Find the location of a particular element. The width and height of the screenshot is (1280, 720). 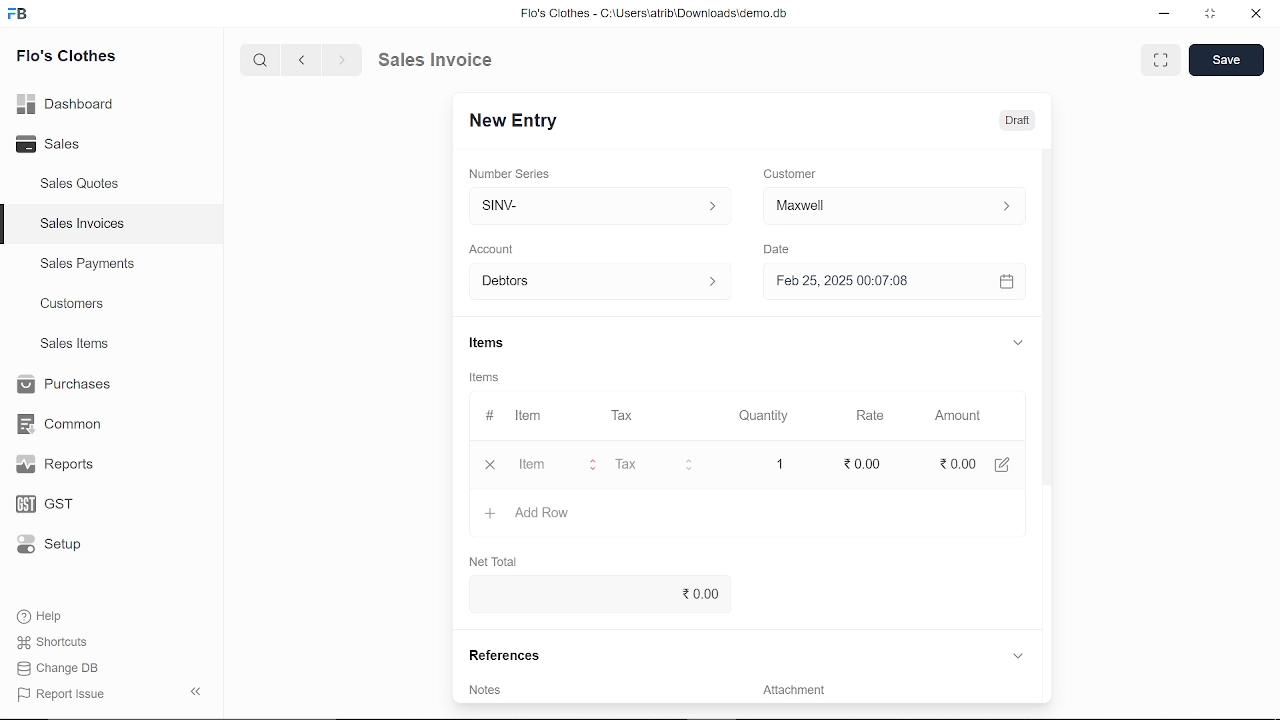

1 is located at coordinates (779, 464).